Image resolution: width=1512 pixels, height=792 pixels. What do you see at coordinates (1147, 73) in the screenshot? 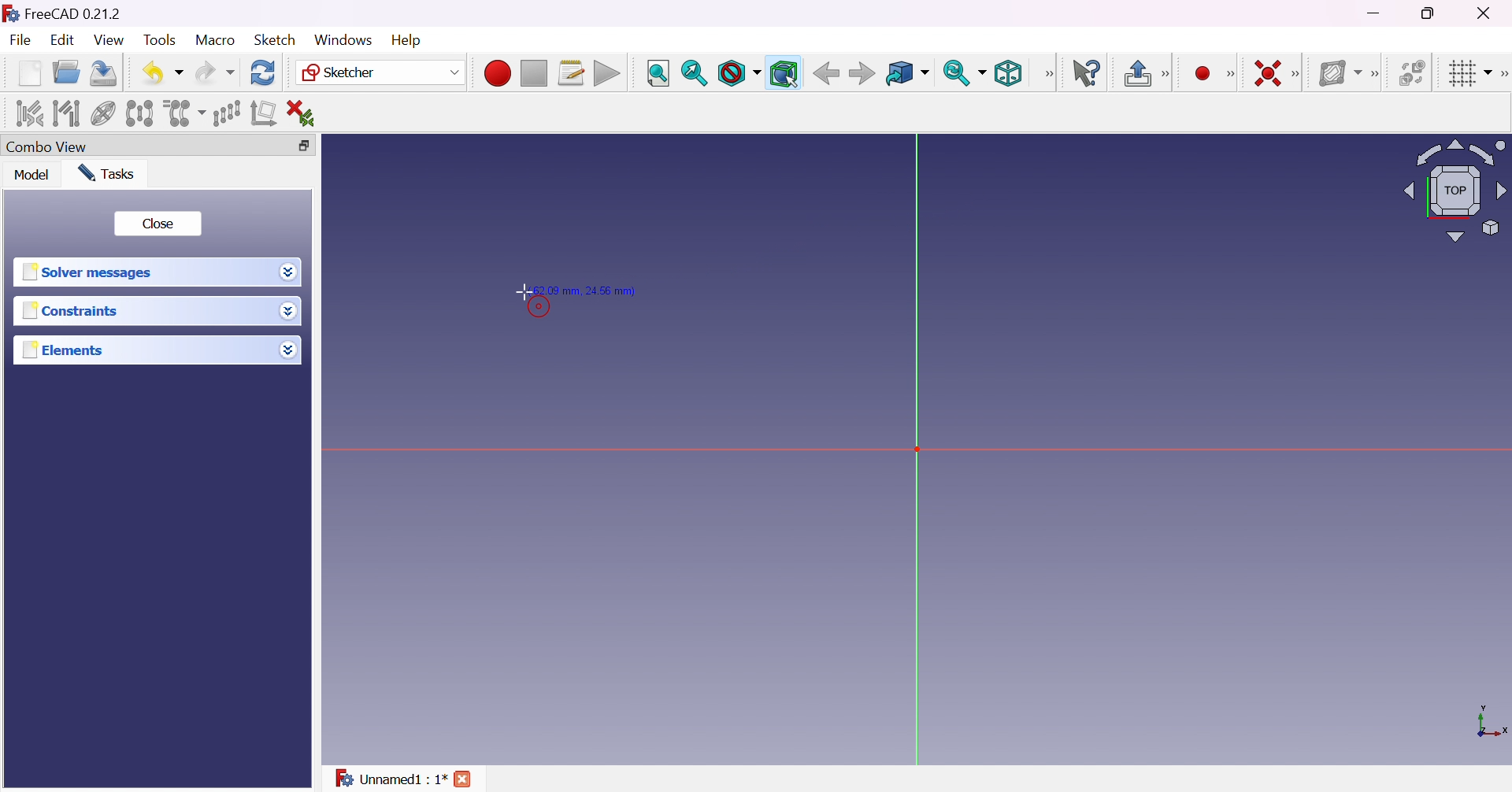
I see `Leave sketch` at bounding box center [1147, 73].